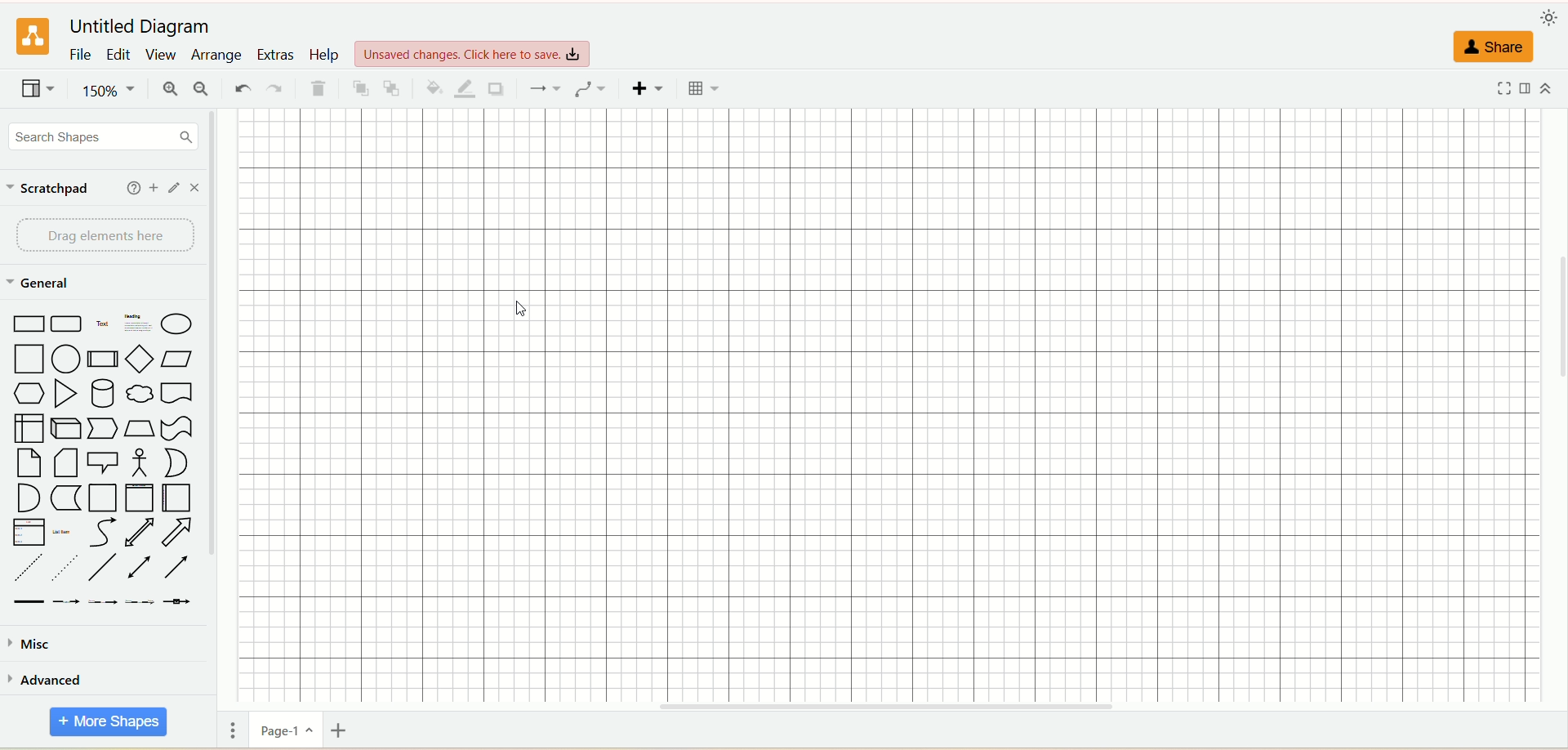 Image resolution: width=1568 pixels, height=750 pixels. What do you see at coordinates (26, 463) in the screenshot?
I see `note` at bounding box center [26, 463].